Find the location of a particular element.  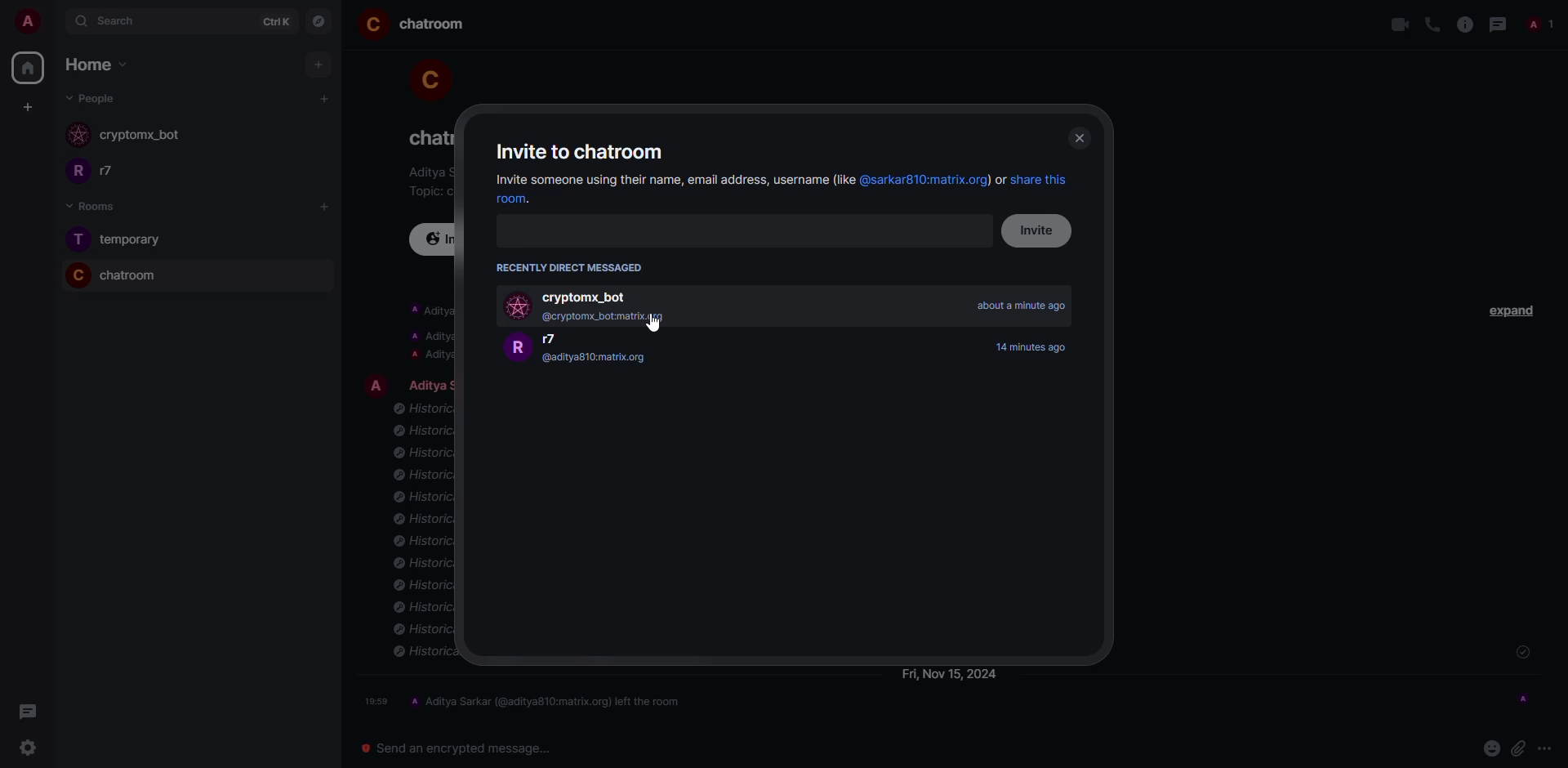

home is located at coordinates (88, 65).